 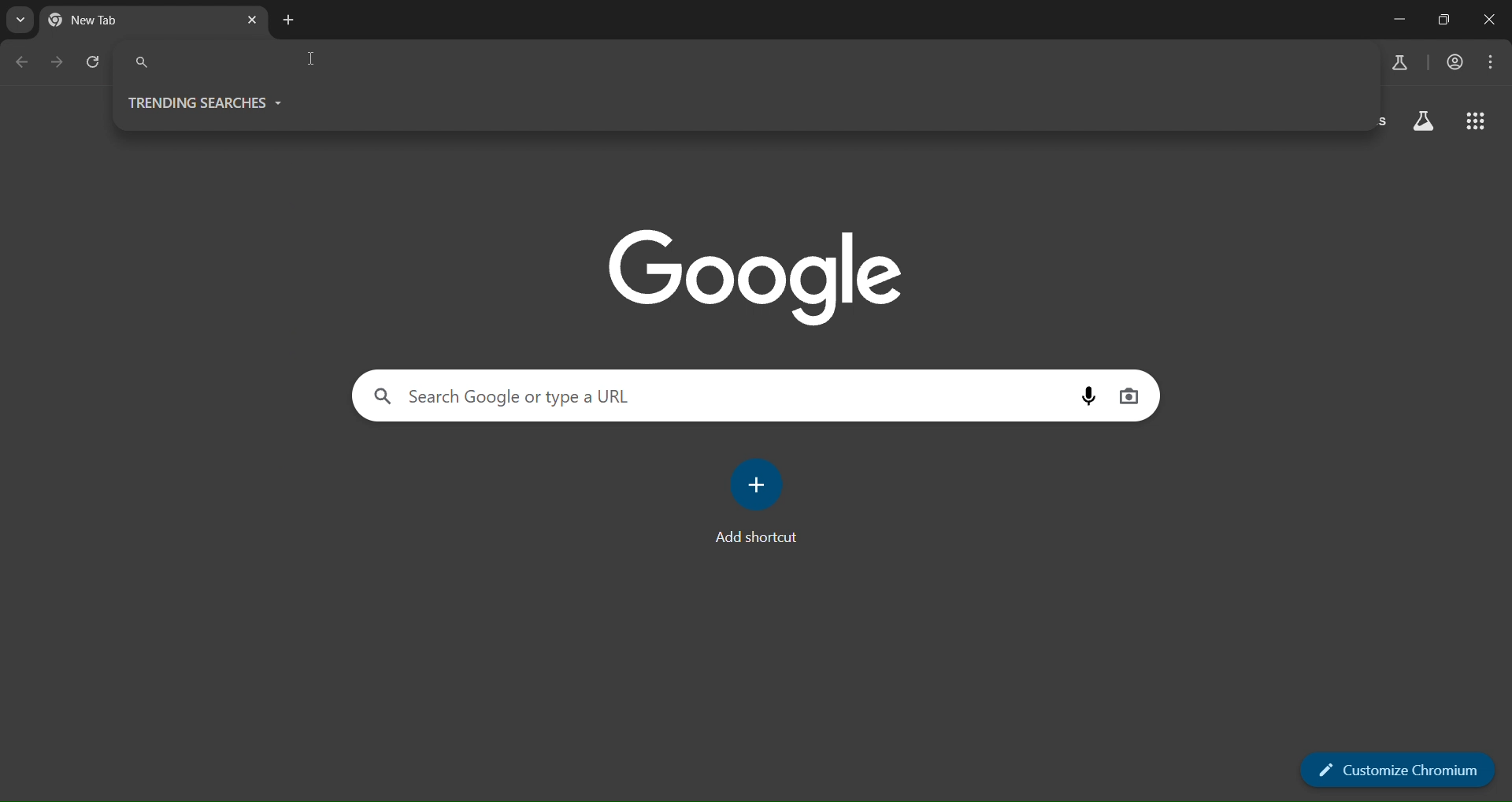 What do you see at coordinates (264, 60) in the screenshot?
I see `search pane` at bounding box center [264, 60].